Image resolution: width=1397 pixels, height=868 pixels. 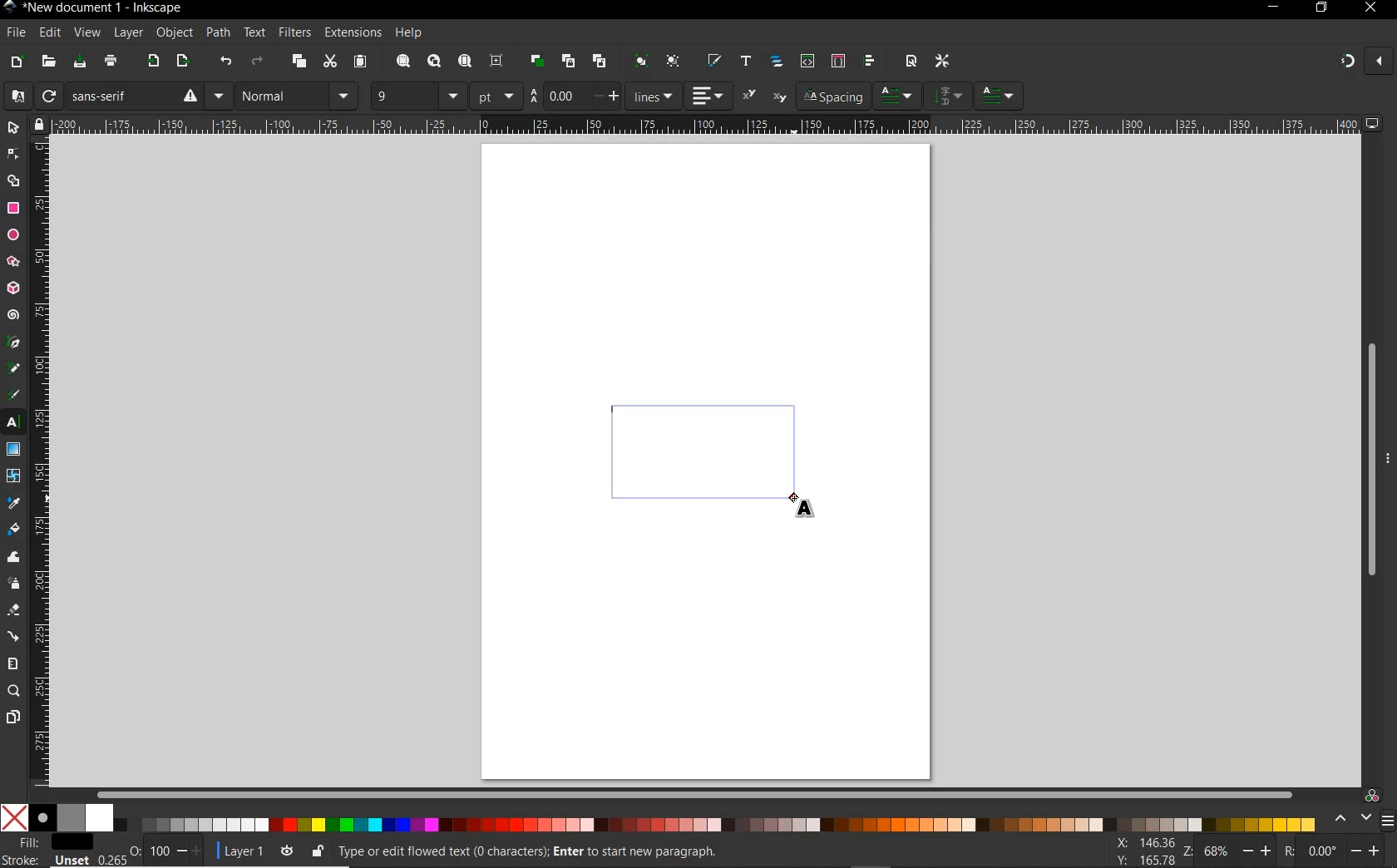 What do you see at coordinates (329, 62) in the screenshot?
I see `cut` at bounding box center [329, 62].